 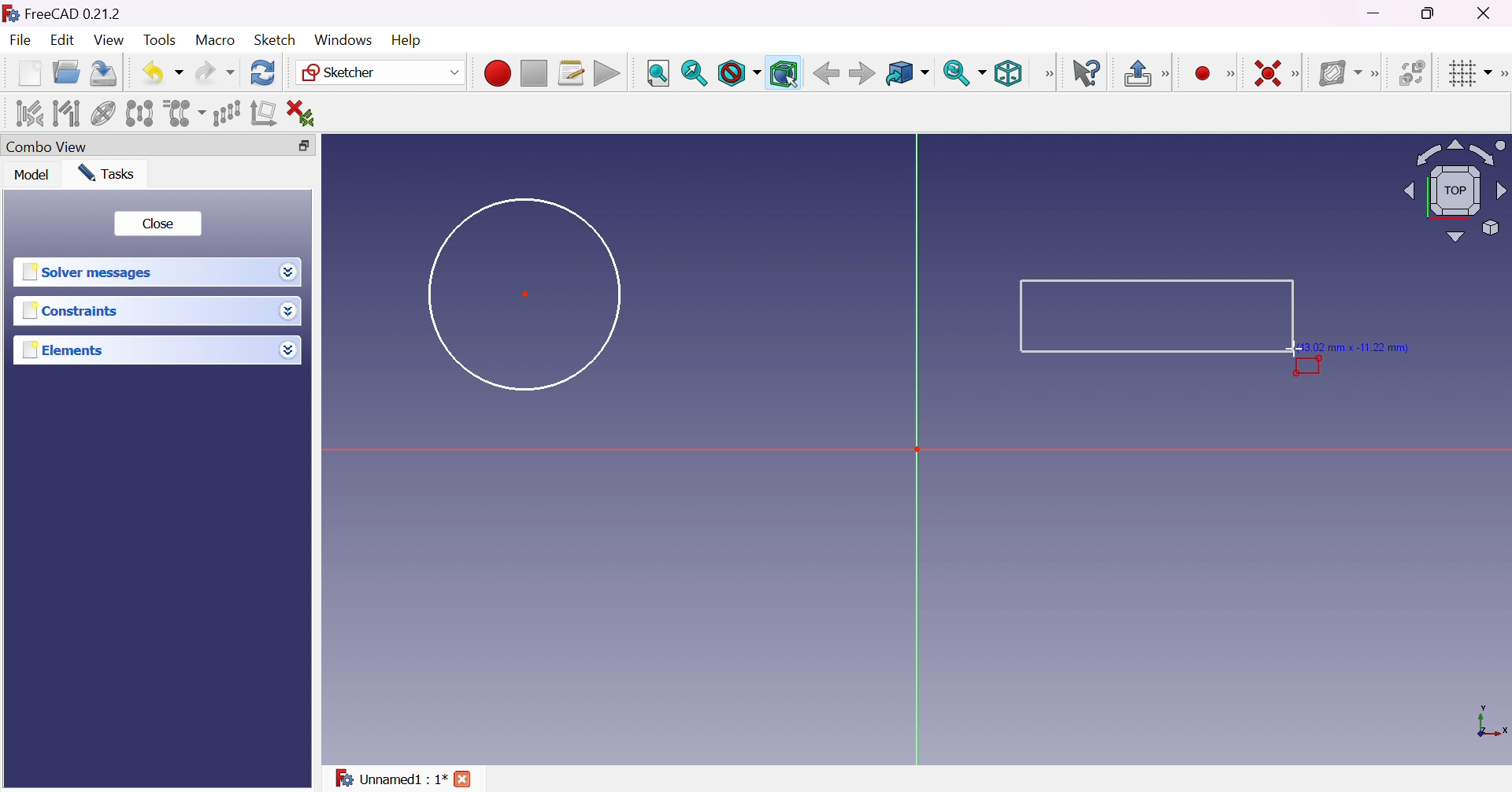 What do you see at coordinates (1203, 74) in the screenshot?
I see `Create point` at bounding box center [1203, 74].